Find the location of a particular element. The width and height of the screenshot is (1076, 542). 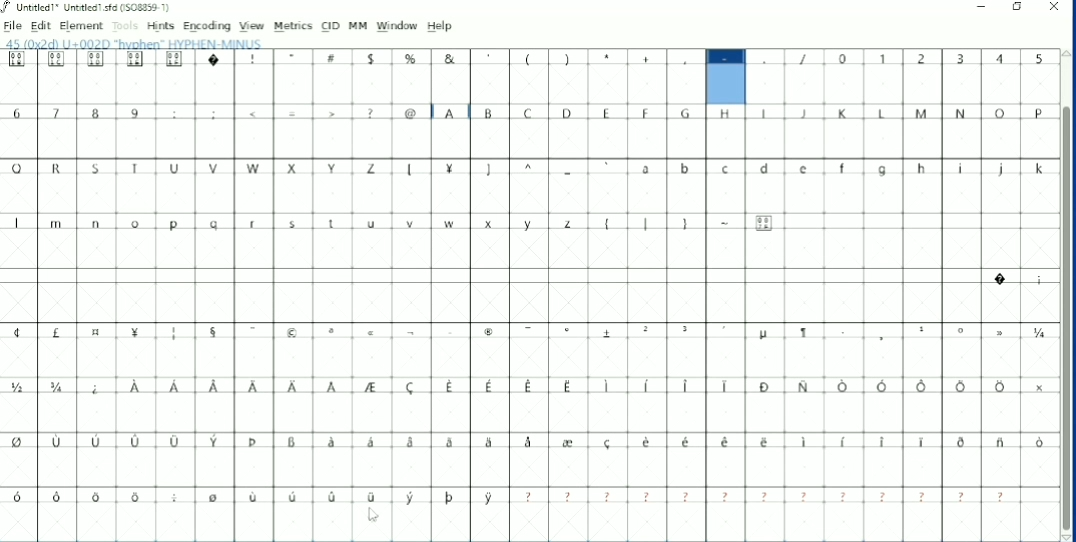

Letter info is located at coordinates (141, 43).